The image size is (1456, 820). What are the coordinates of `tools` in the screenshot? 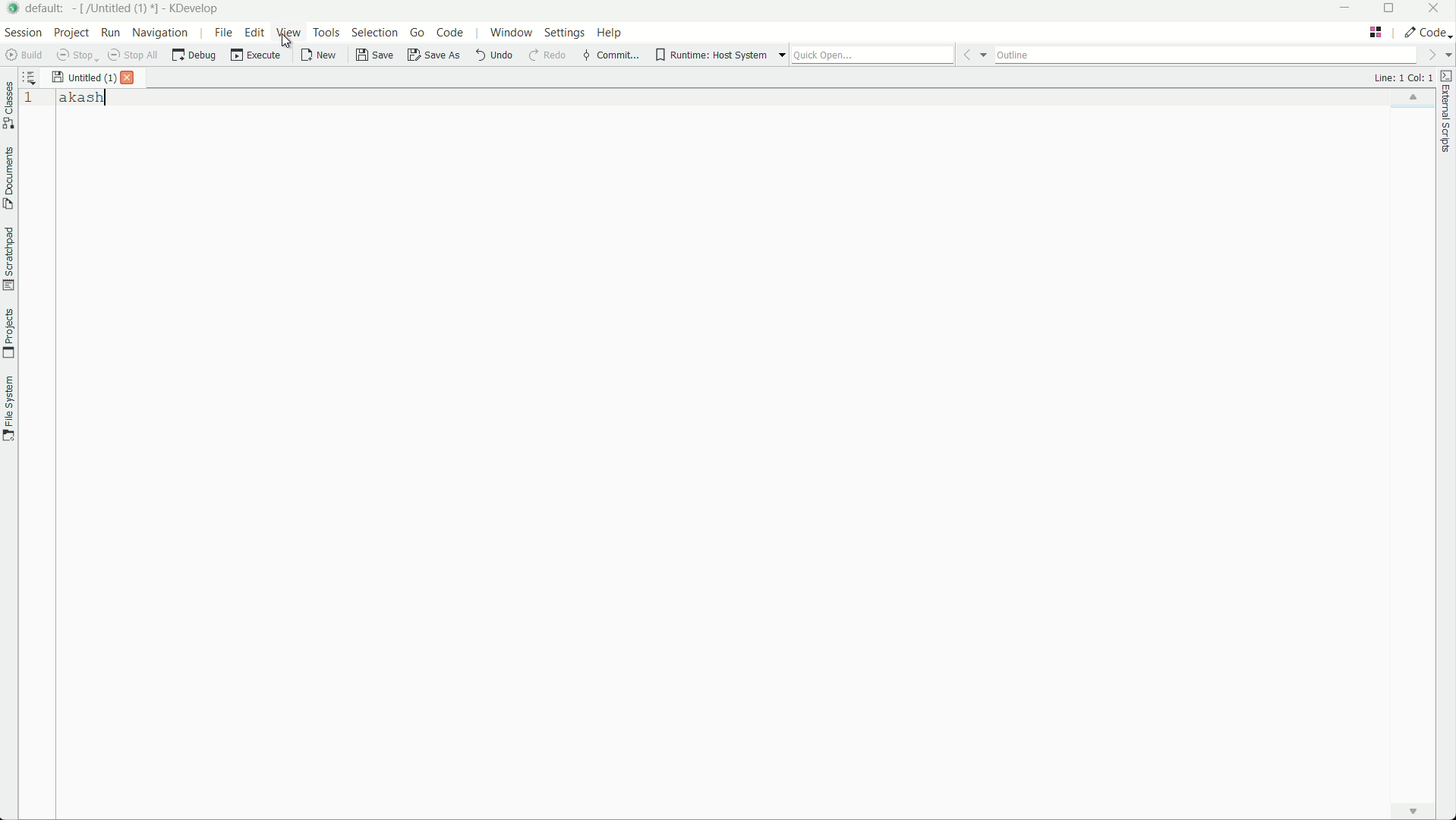 It's located at (328, 32).